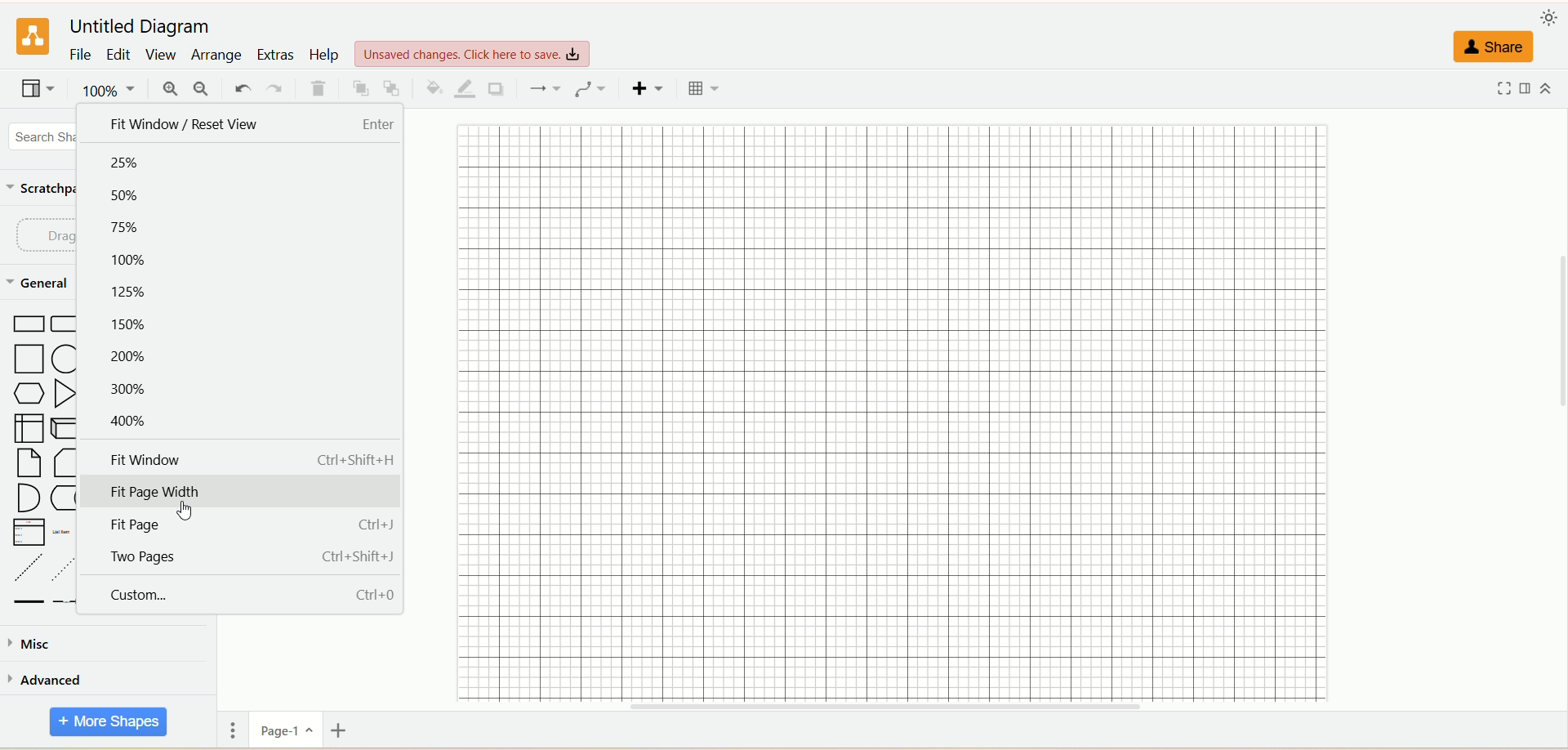 The width and height of the screenshot is (1568, 750). Describe the element at coordinates (67, 359) in the screenshot. I see `circle` at that location.